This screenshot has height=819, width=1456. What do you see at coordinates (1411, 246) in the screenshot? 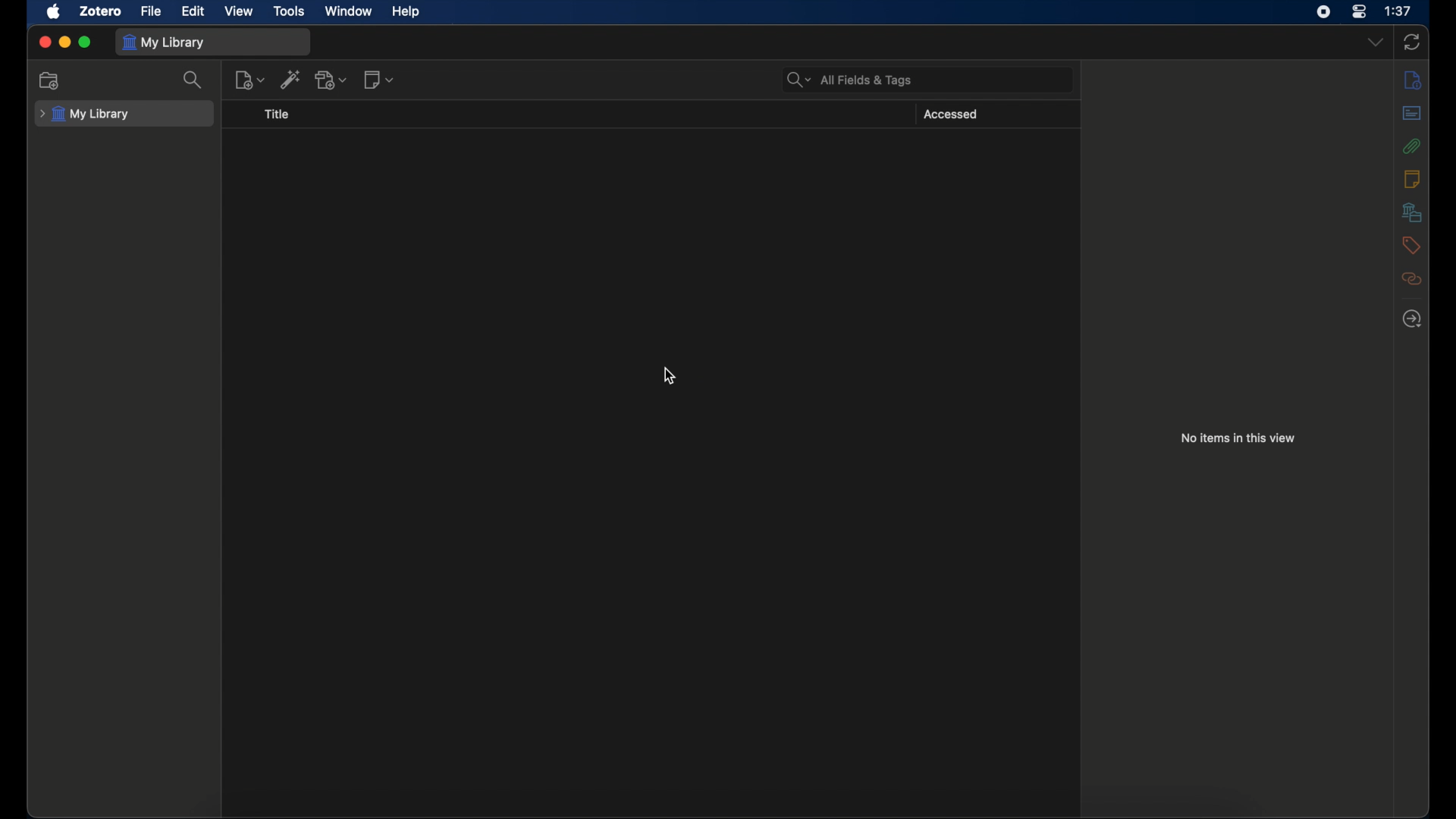
I see `tags` at bounding box center [1411, 246].